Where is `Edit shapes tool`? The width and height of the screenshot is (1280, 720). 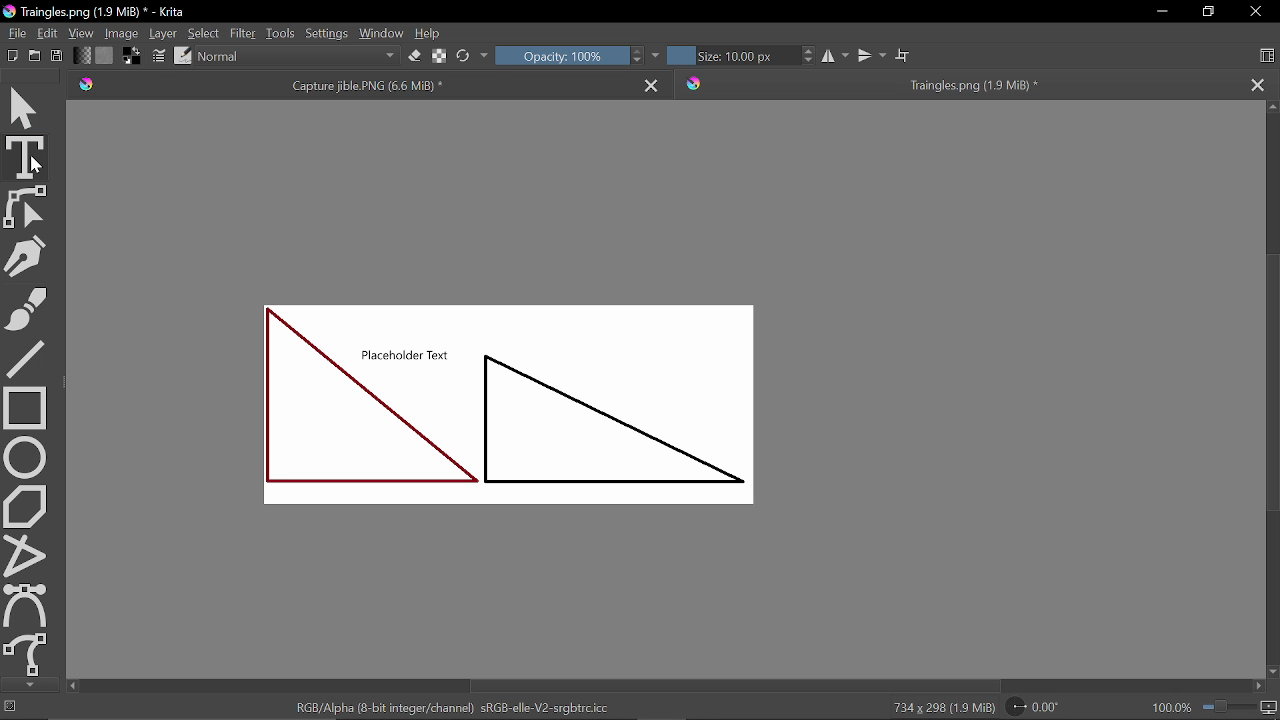 Edit shapes tool is located at coordinates (29, 207).